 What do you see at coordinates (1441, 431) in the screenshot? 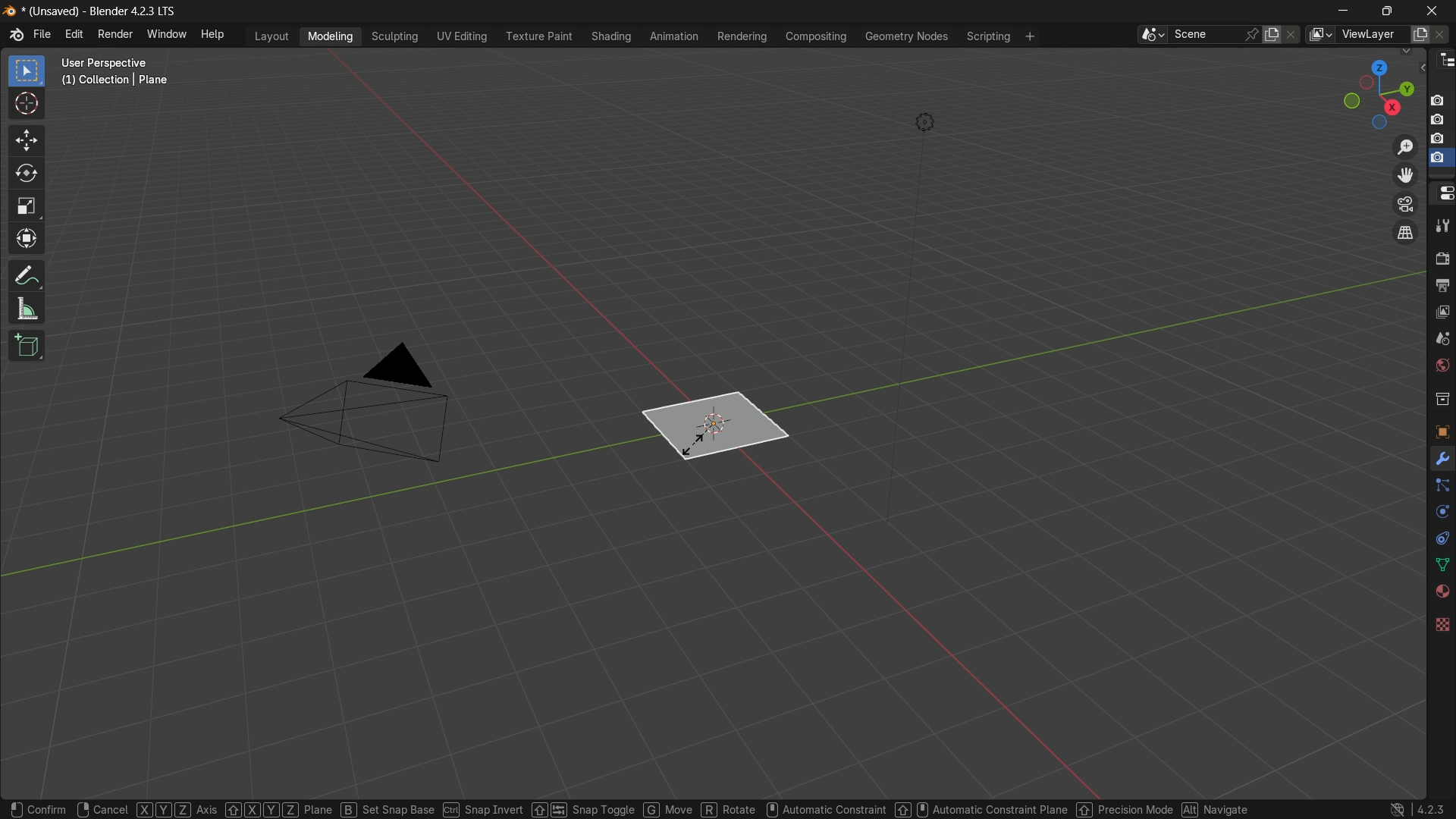
I see `object` at bounding box center [1441, 431].